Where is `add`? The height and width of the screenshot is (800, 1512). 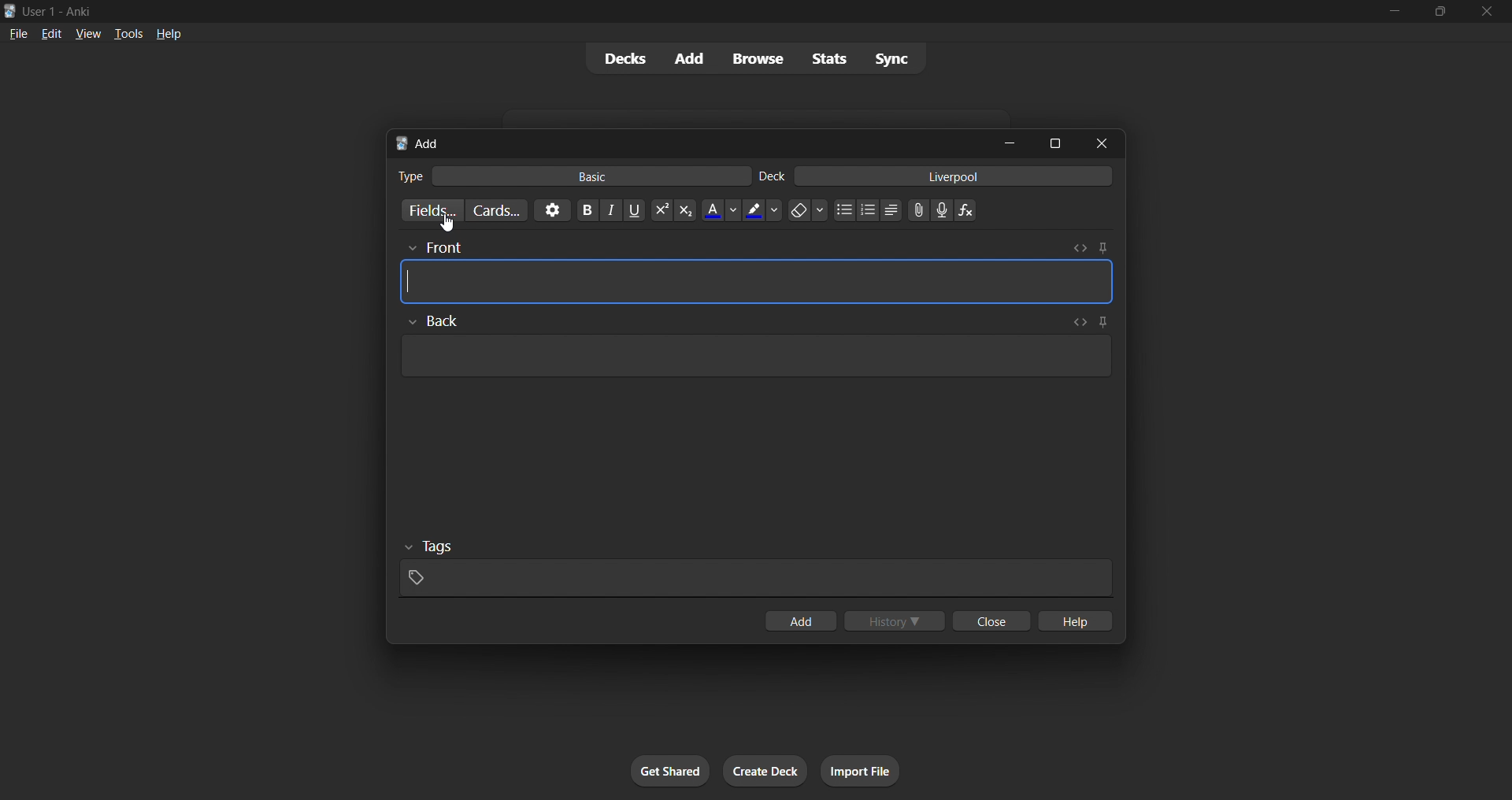
add is located at coordinates (800, 620).